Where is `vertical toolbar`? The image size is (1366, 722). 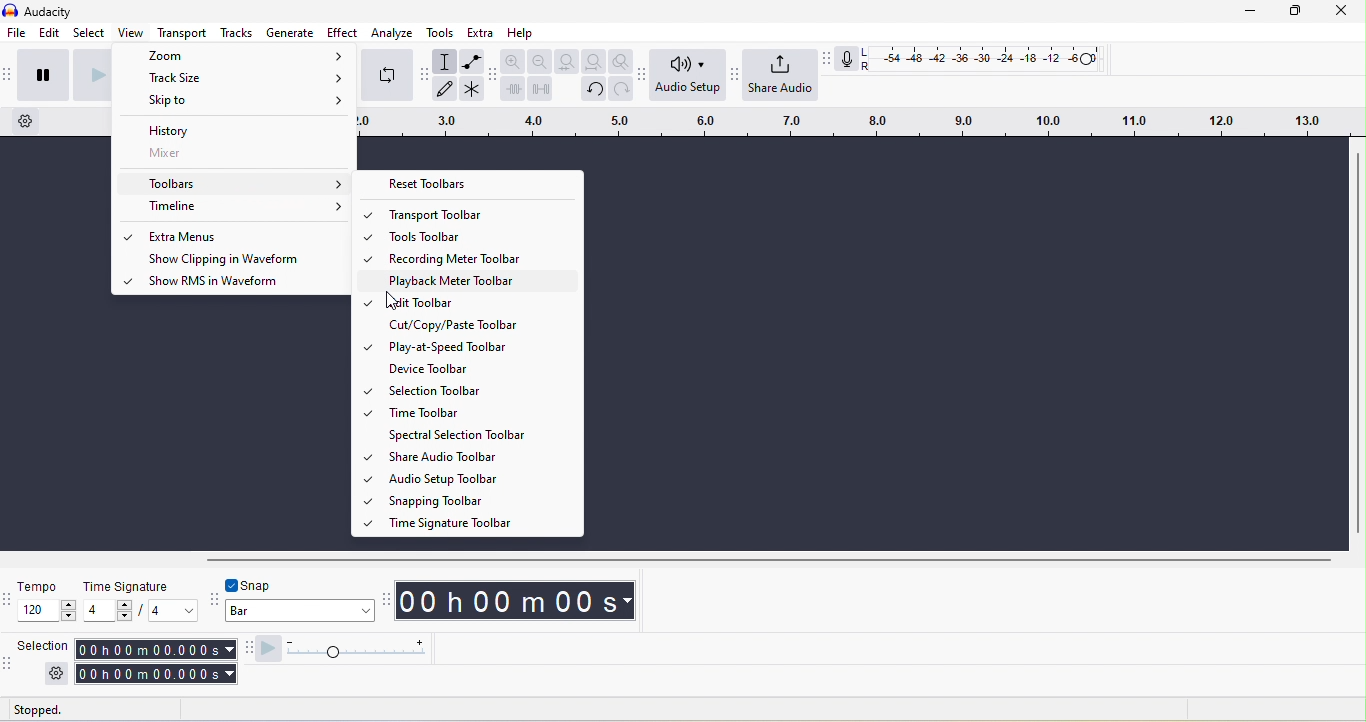 vertical toolbar is located at coordinates (1358, 343).